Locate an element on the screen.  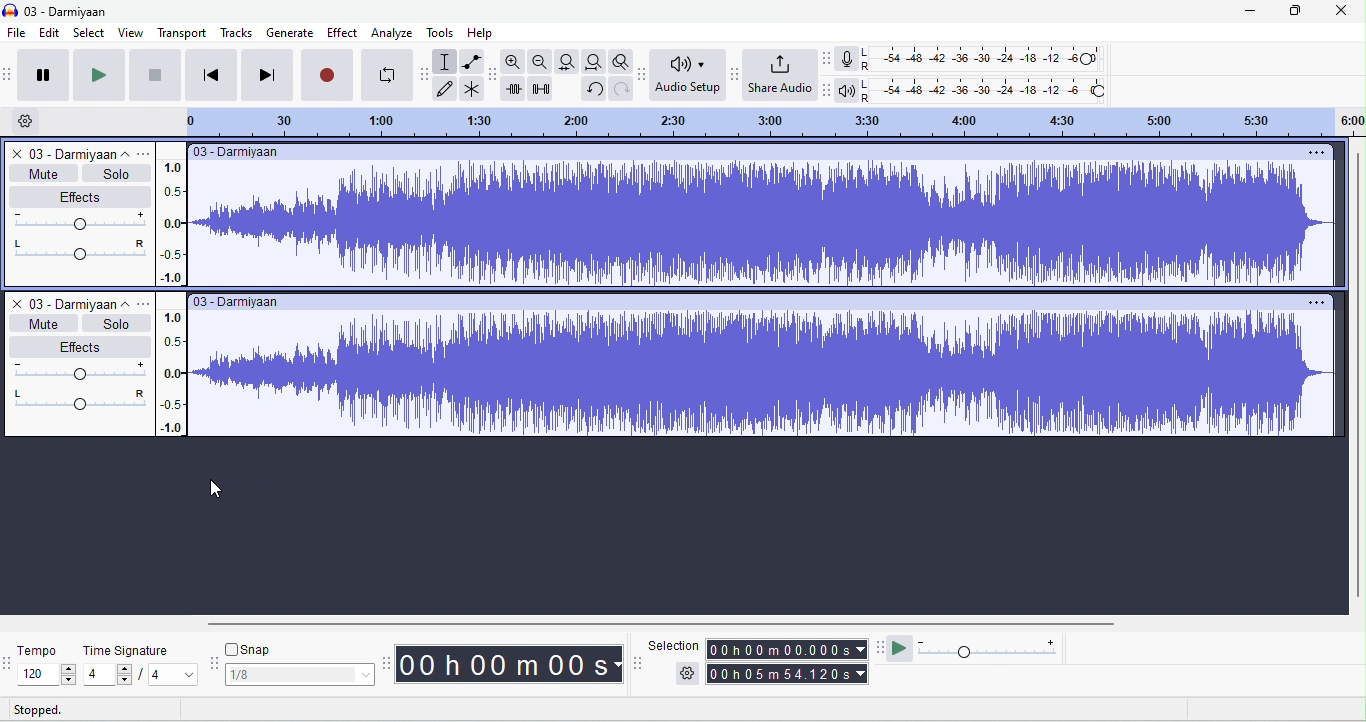
volume is located at coordinates (78, 370).